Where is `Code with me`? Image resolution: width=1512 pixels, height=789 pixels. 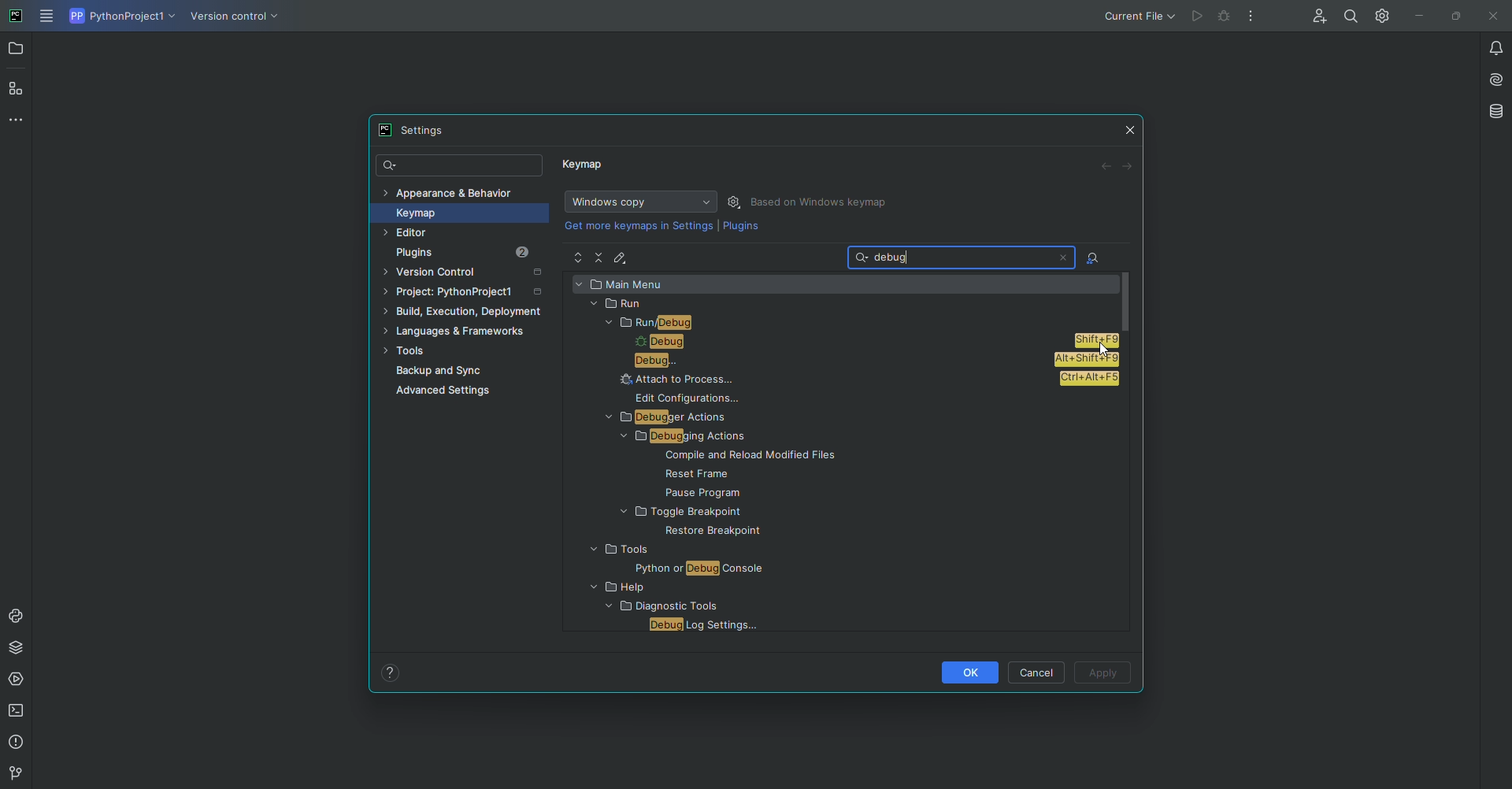 Code with me is located at coordinates (1316, 17).